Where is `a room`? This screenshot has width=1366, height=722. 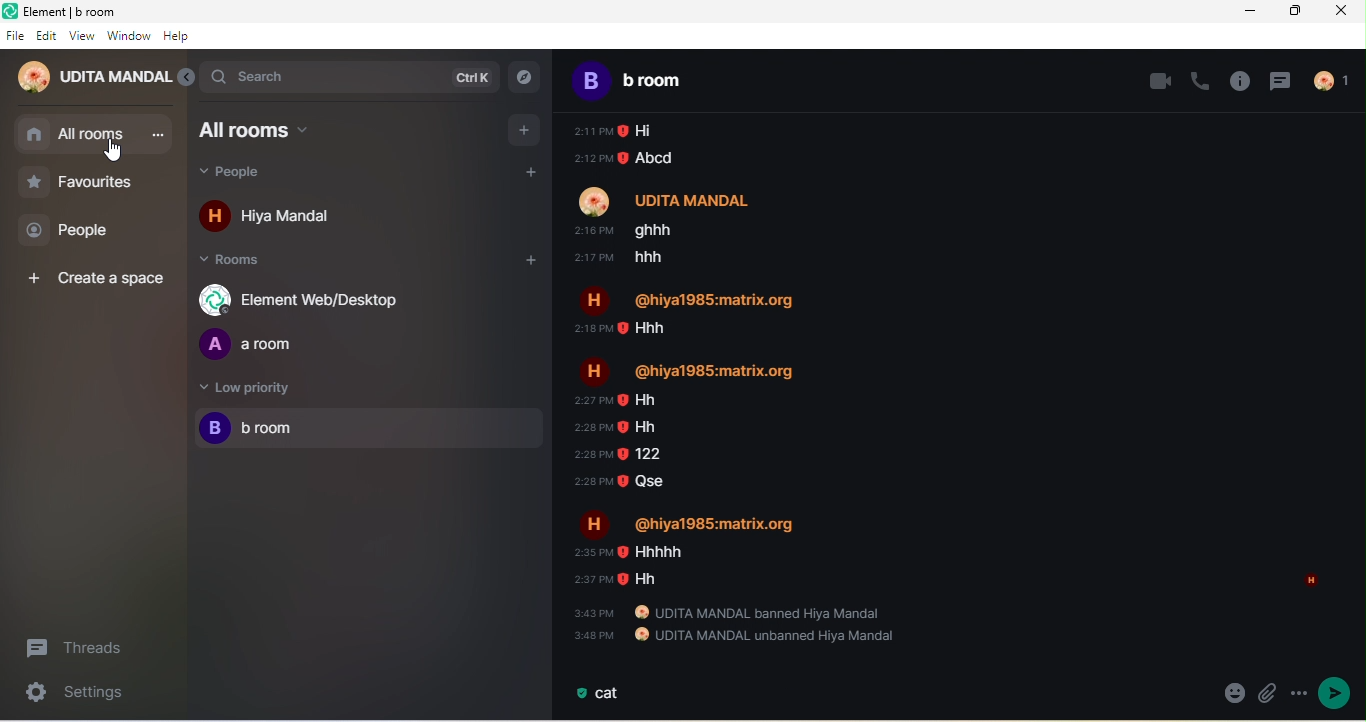 a room is located at coordinates (257, 345).